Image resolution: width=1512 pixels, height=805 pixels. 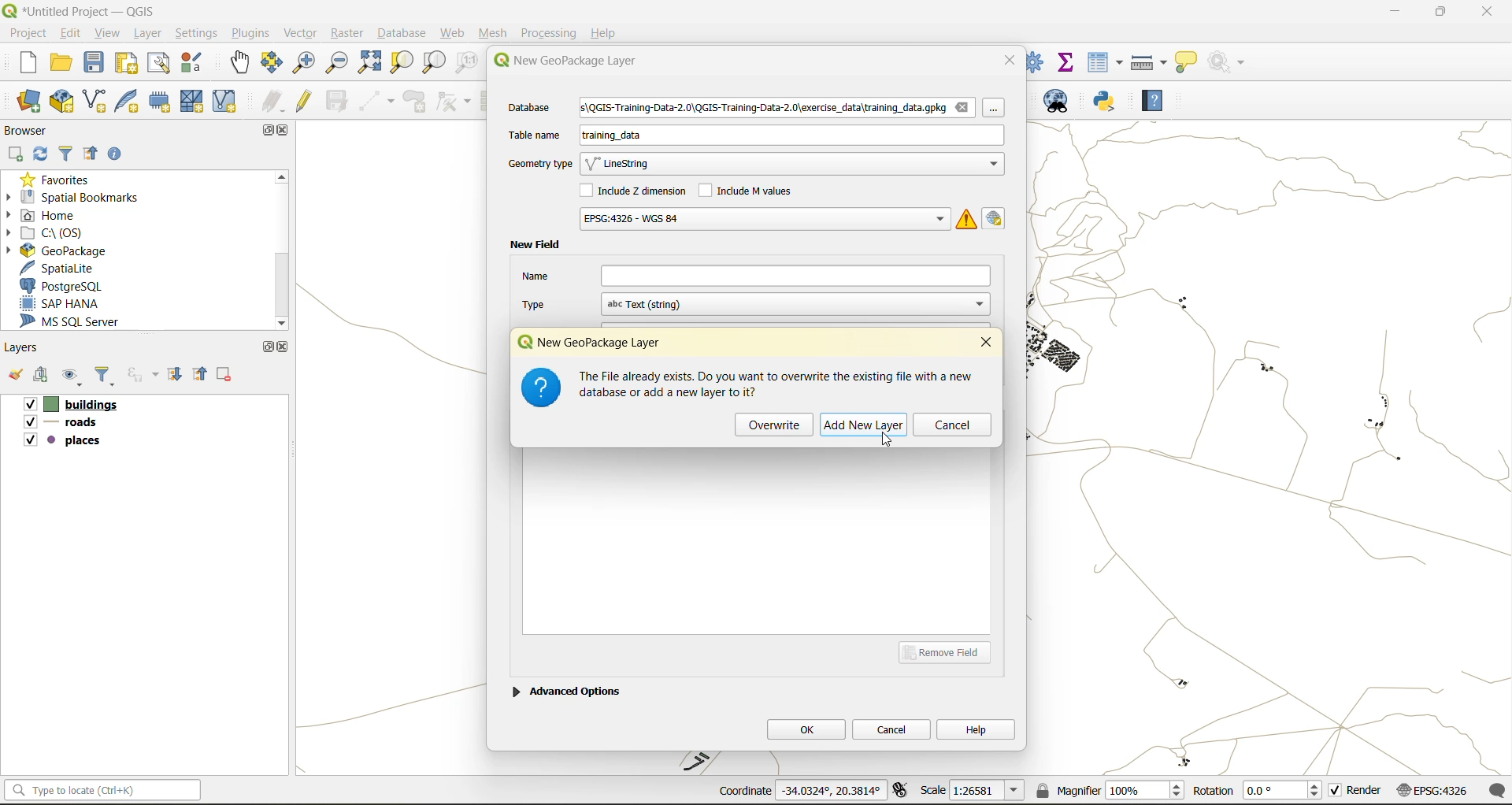 What do you see at coordinates (778, 109) in the screenshot?
I see `database name and path` at bounding box center [778, 109].